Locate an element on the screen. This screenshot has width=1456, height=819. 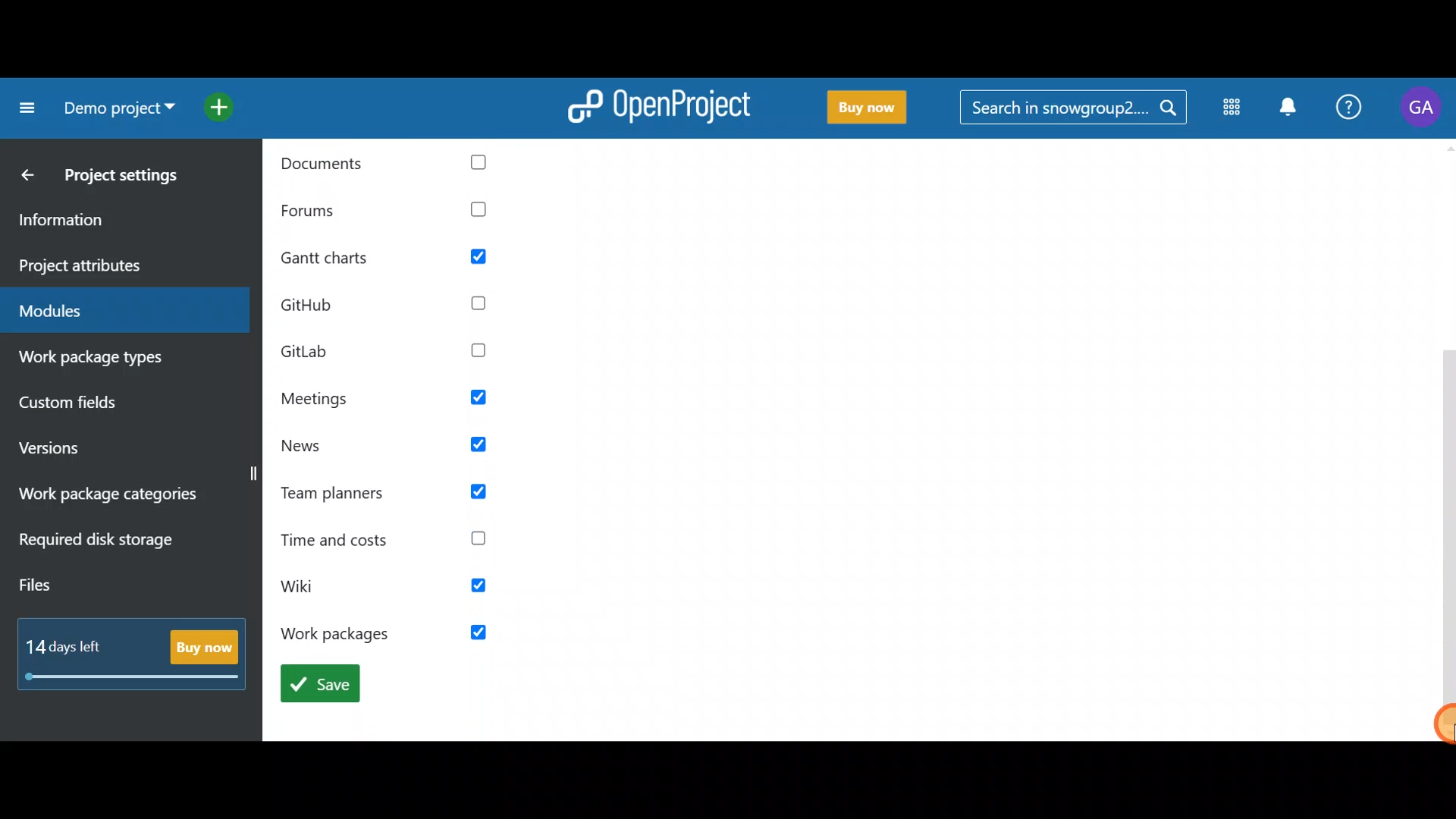
Meetings is located at coordinates (387, 399).